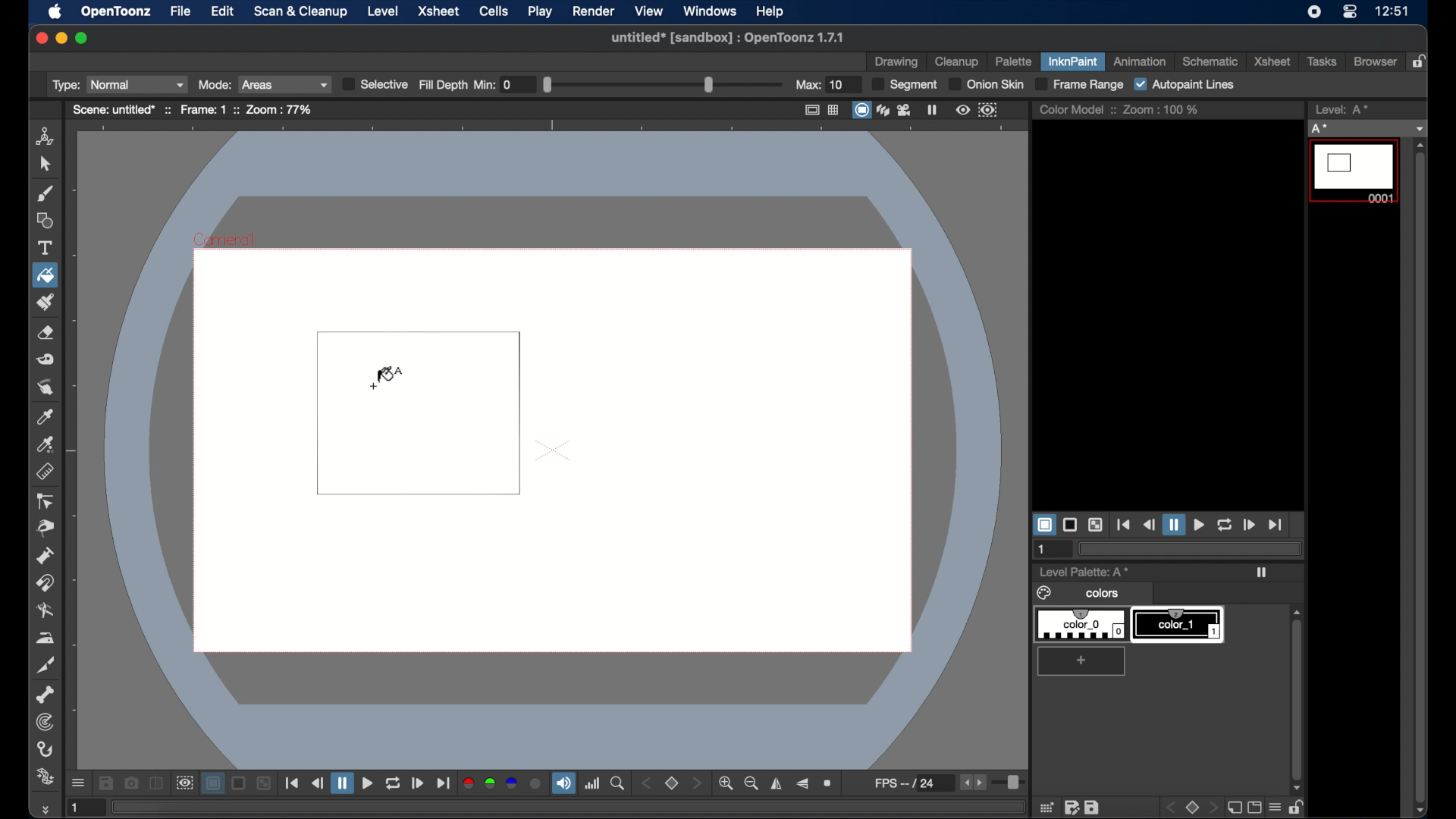 The height and width of the screenshot is (819, 1456). Describe the element at coordinates (541, 11) in the screenshot. I see `play` at that location.